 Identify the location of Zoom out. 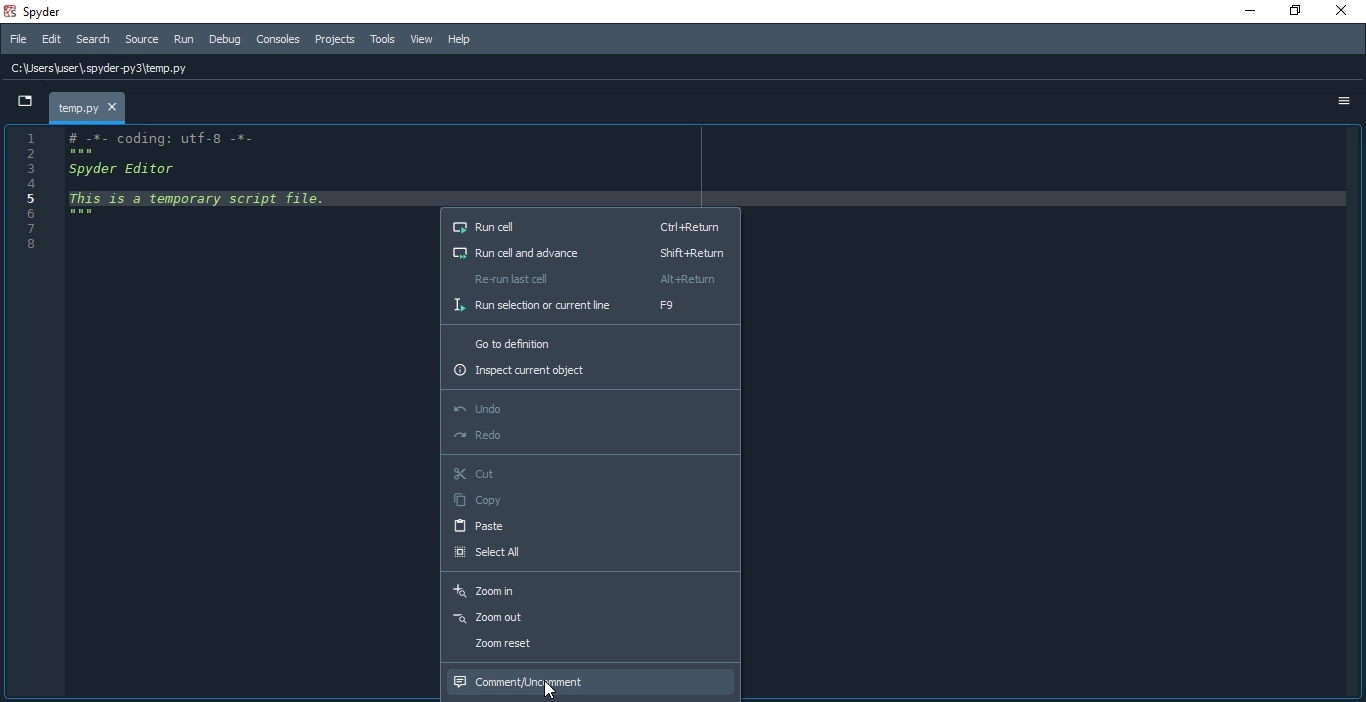
(589, 618).